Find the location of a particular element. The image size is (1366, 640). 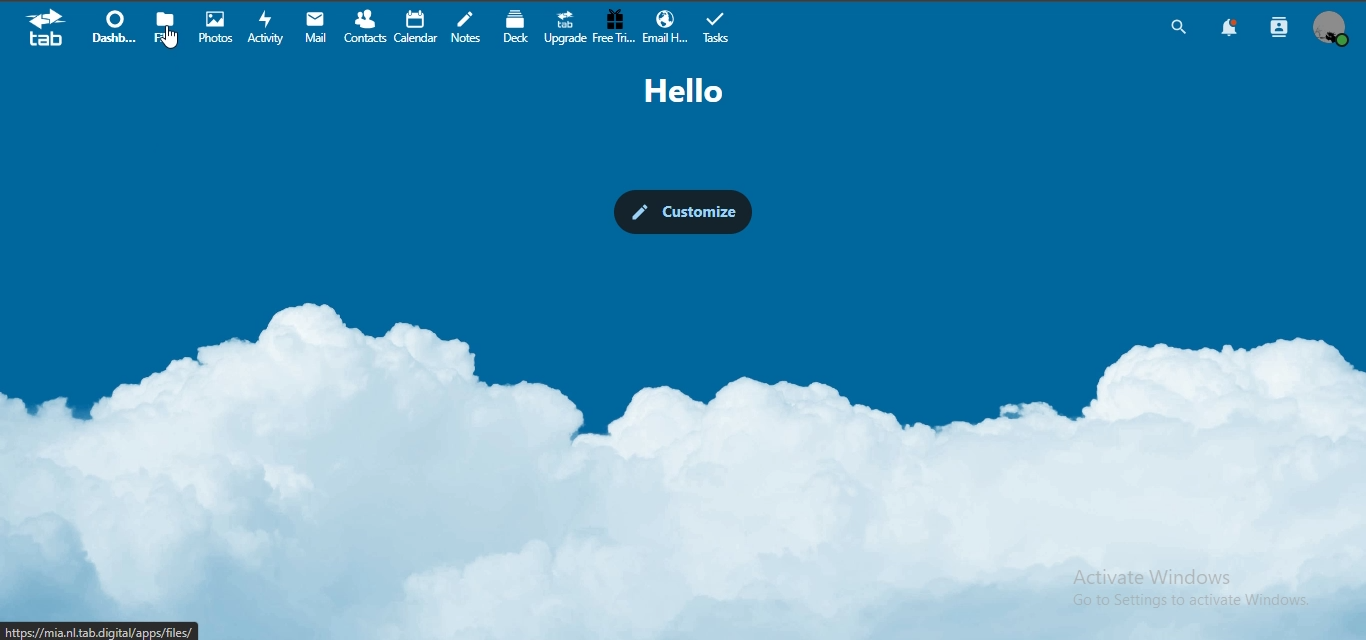

text is located at coordinates (684, 92).